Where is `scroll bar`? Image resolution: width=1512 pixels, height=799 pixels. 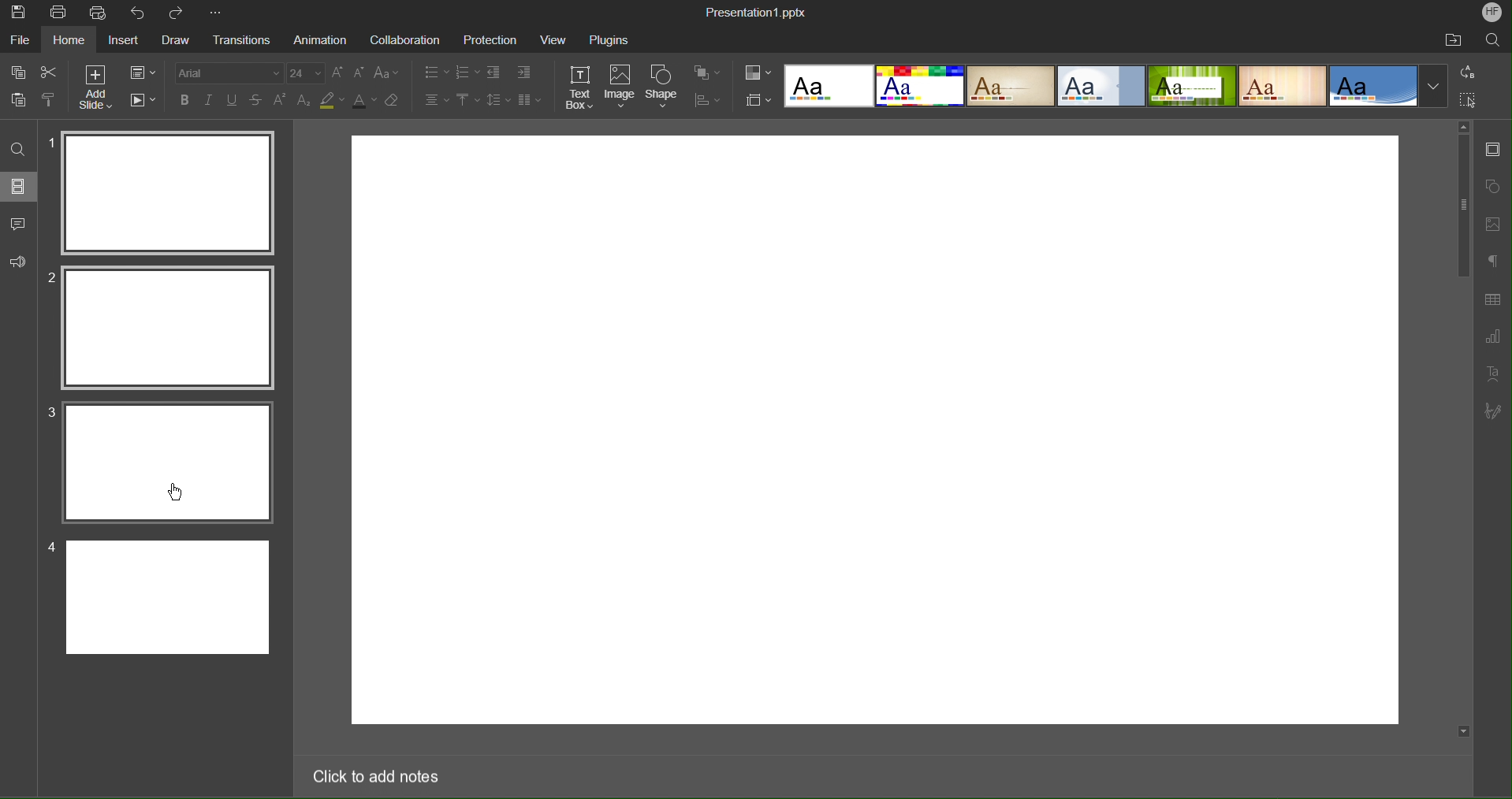 scroll bar is located at coordinates (1465, 426).